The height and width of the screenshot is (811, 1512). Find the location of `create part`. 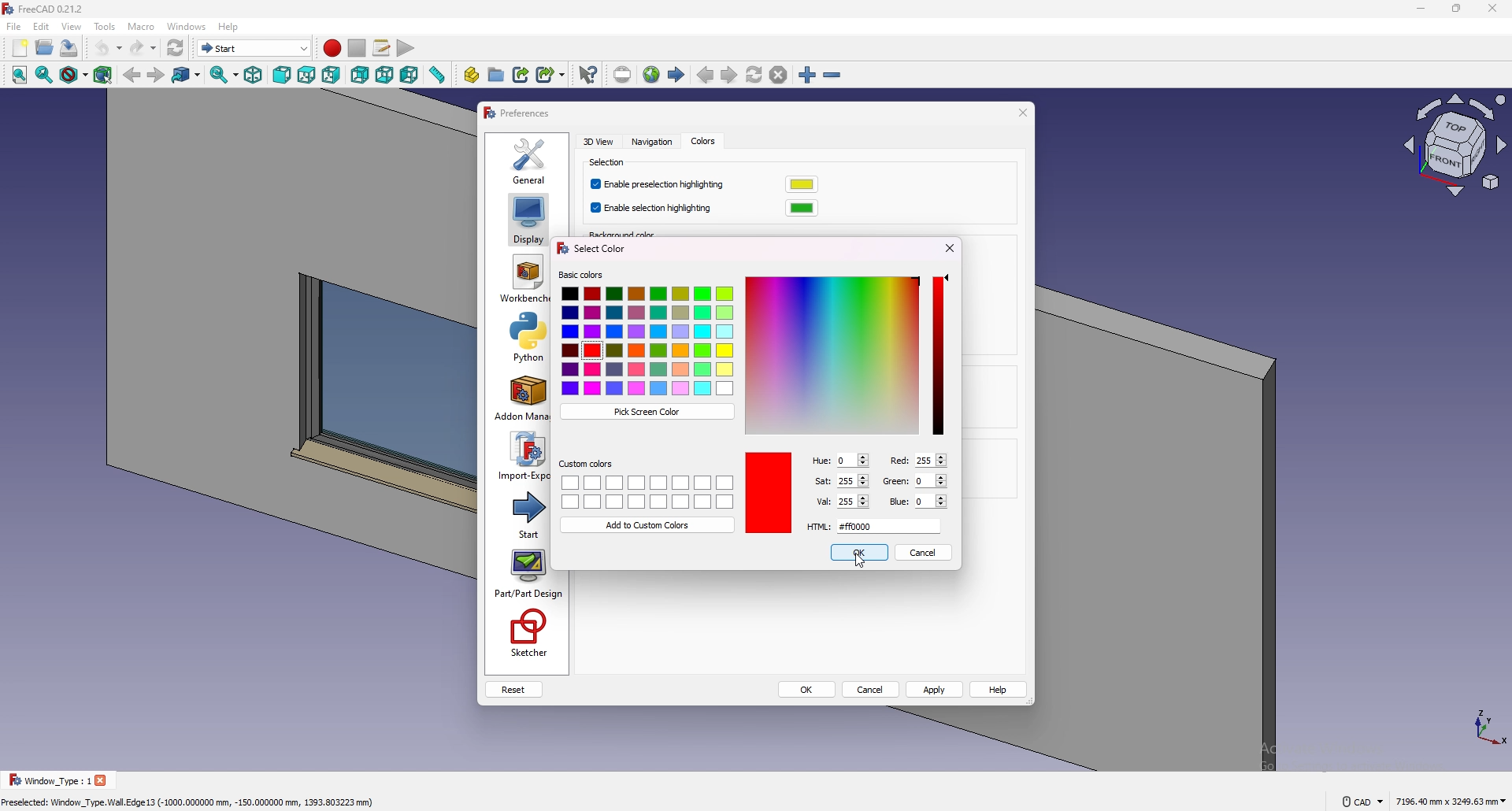

create part is located at coordinates (472, 75).